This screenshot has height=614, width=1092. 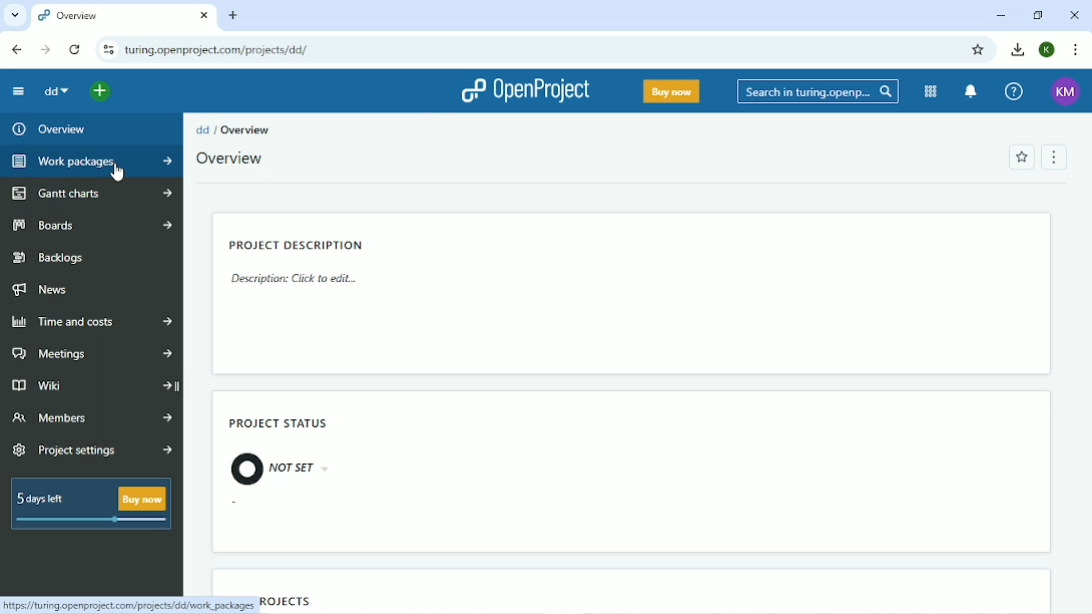 I want to click on Buy now, so click(x=673, y=91).